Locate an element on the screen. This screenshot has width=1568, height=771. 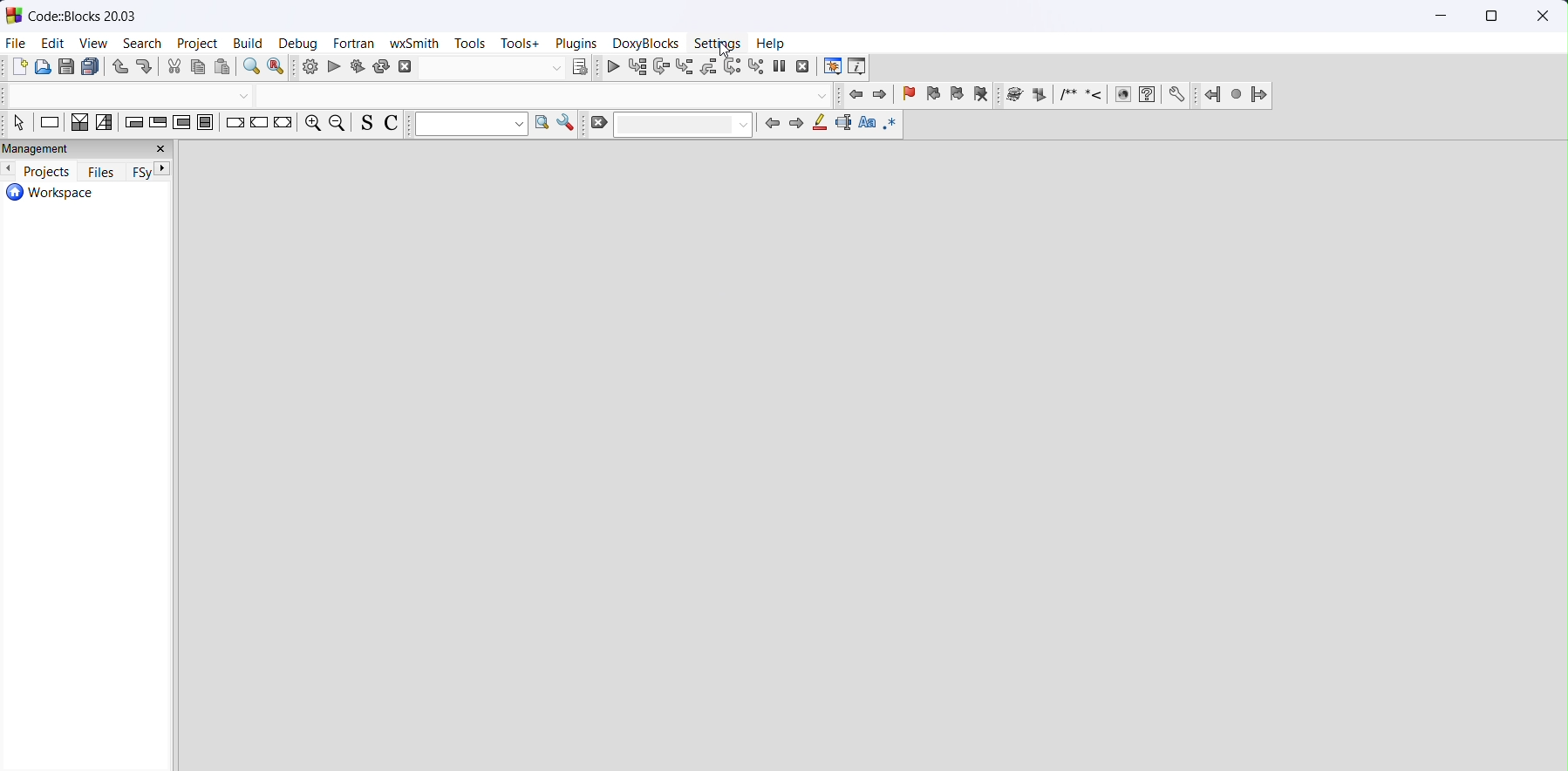
save everything is located at coordinates (91, 68).